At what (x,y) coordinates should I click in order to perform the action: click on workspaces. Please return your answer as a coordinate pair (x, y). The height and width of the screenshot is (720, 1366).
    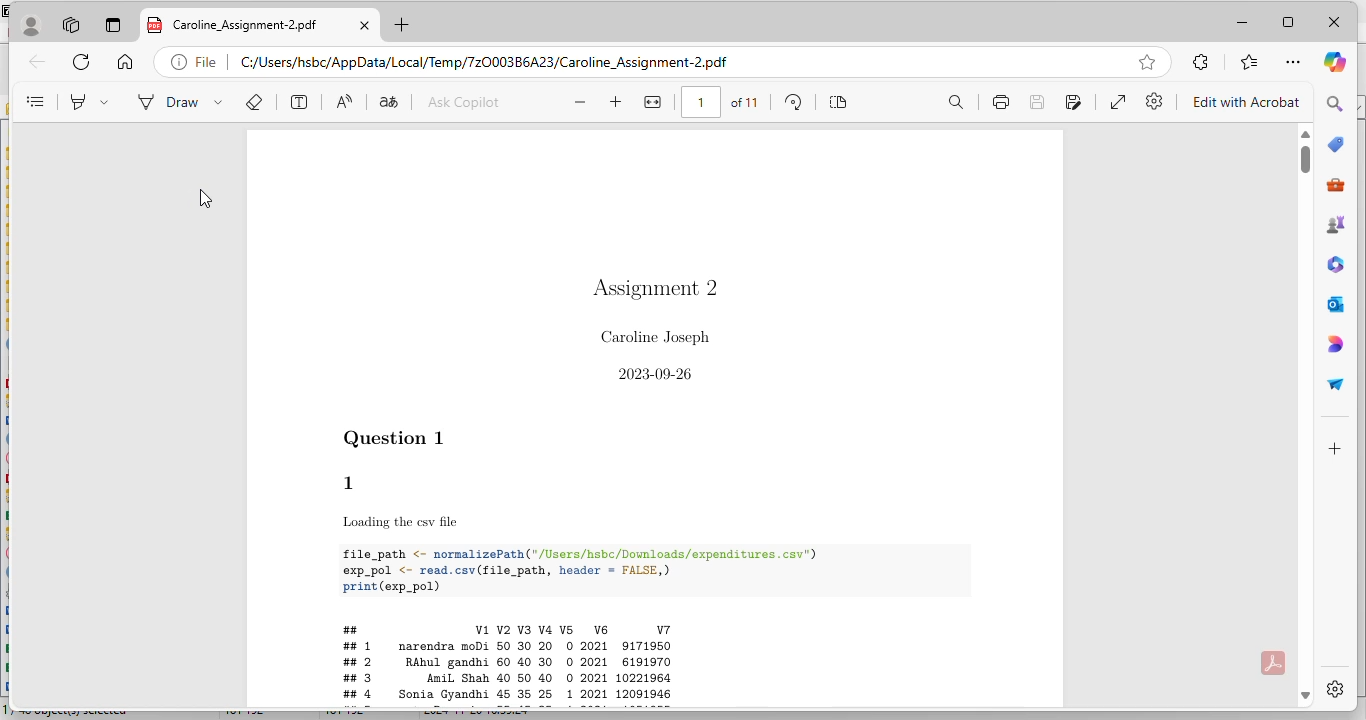
    Looking at the image, I should click on (73, 24).